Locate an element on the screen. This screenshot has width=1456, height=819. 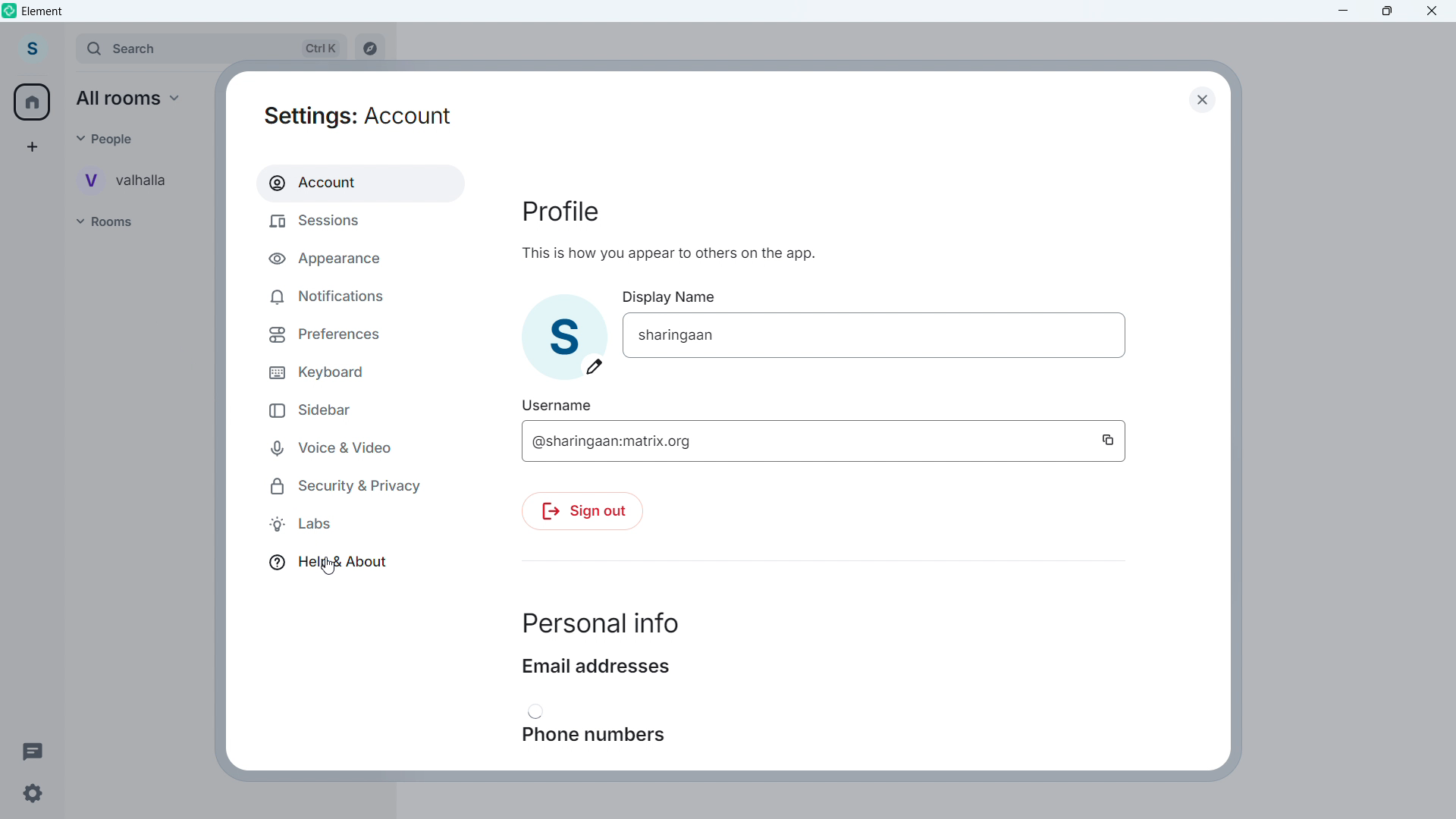
Preferences  is located at coordinates (330, 334).